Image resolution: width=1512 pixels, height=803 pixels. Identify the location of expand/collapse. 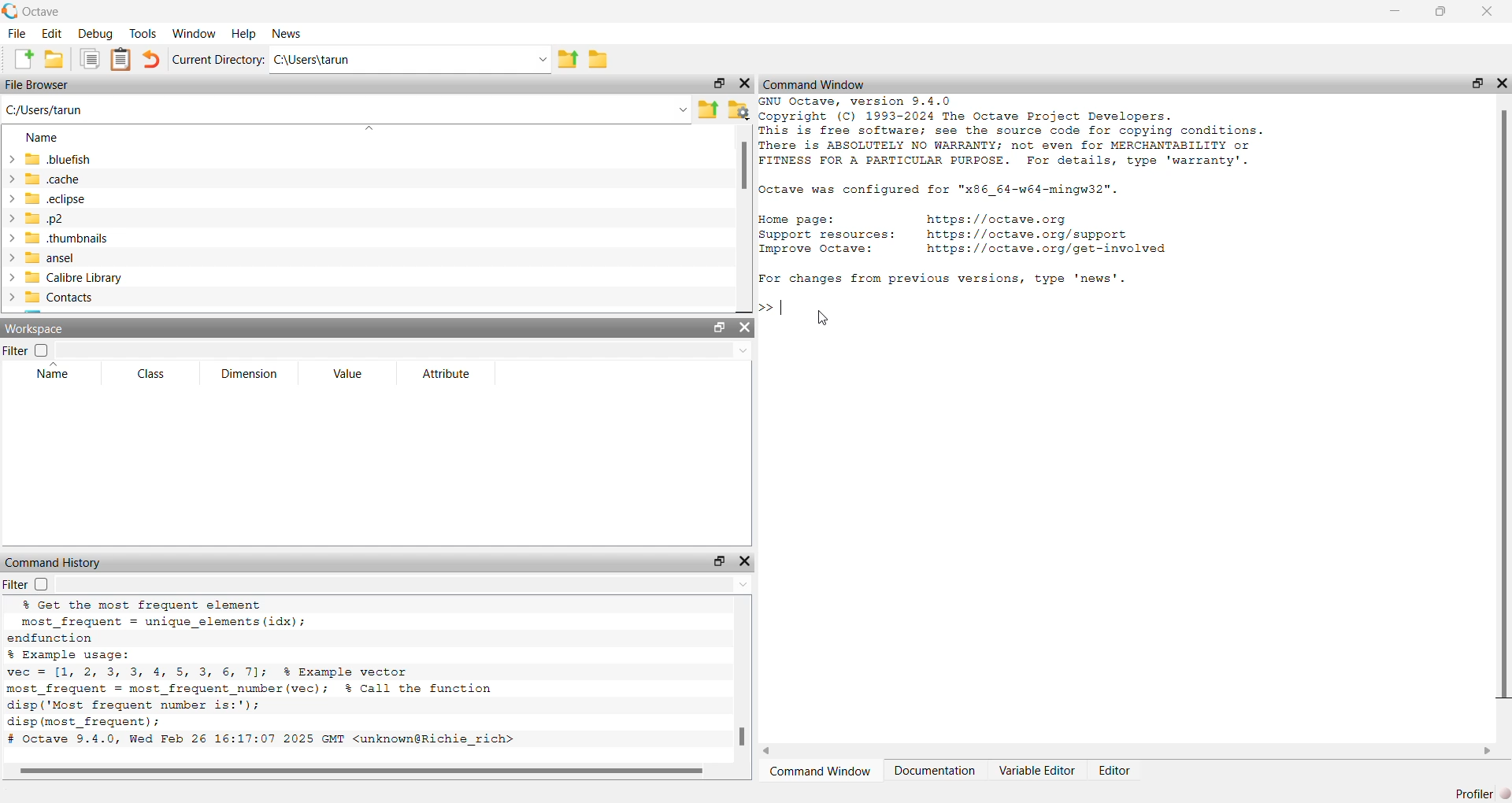
(11, 159).